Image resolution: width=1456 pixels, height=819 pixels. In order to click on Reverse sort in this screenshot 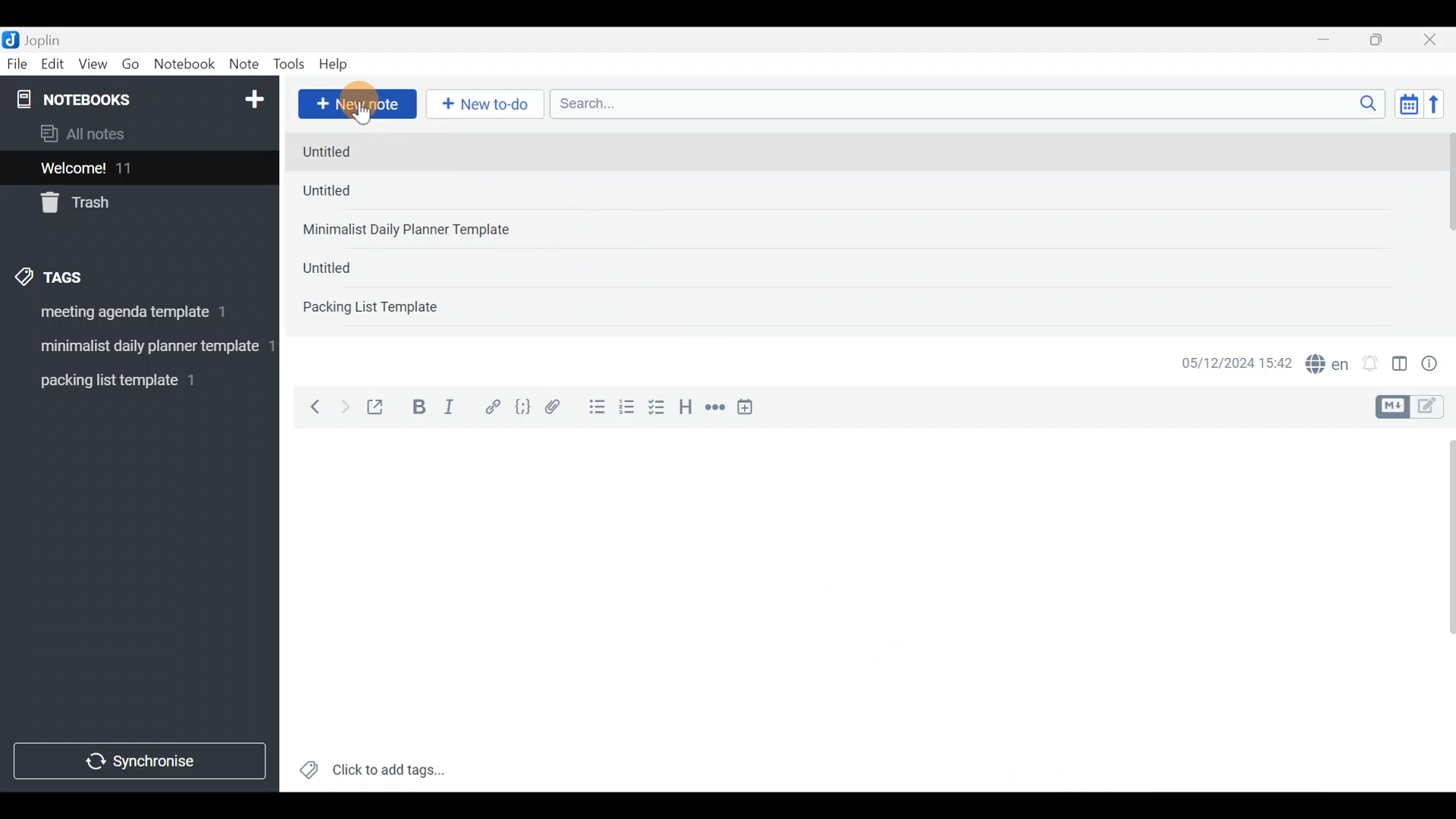, I will do `click(1442, 108)`.